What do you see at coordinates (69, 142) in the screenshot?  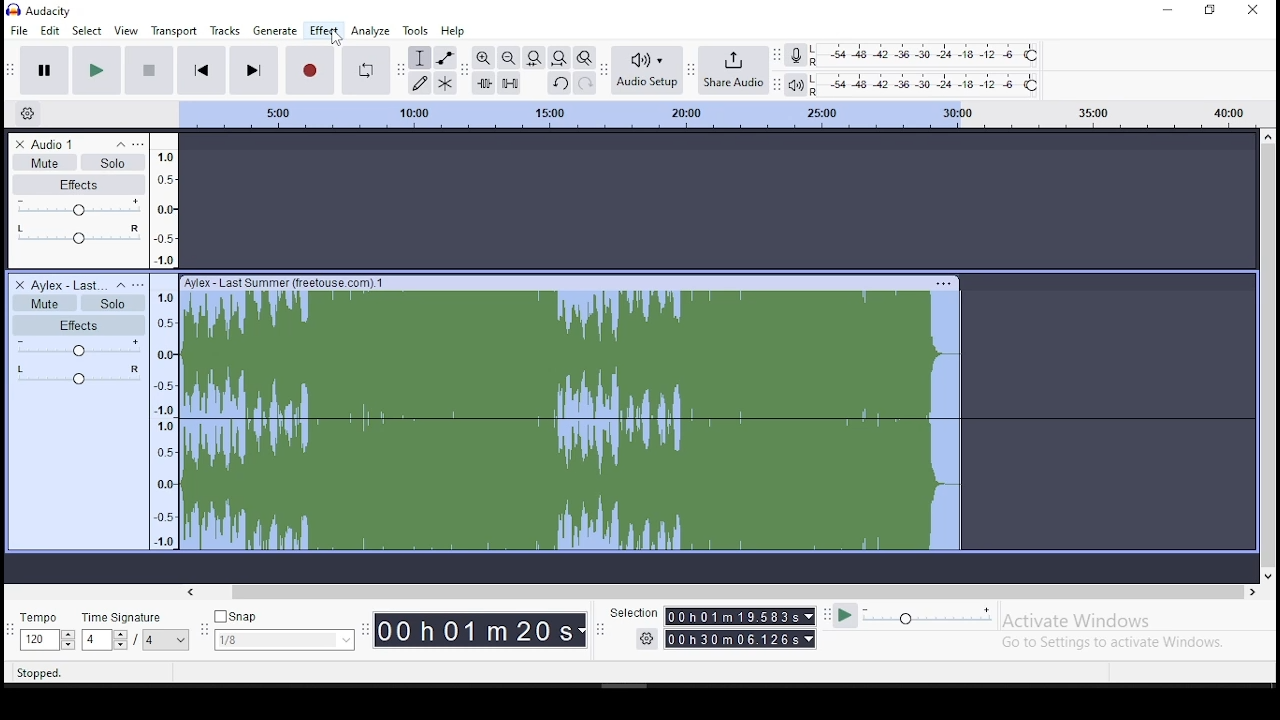 I see `audio track name` at bounding box center [69, 142].